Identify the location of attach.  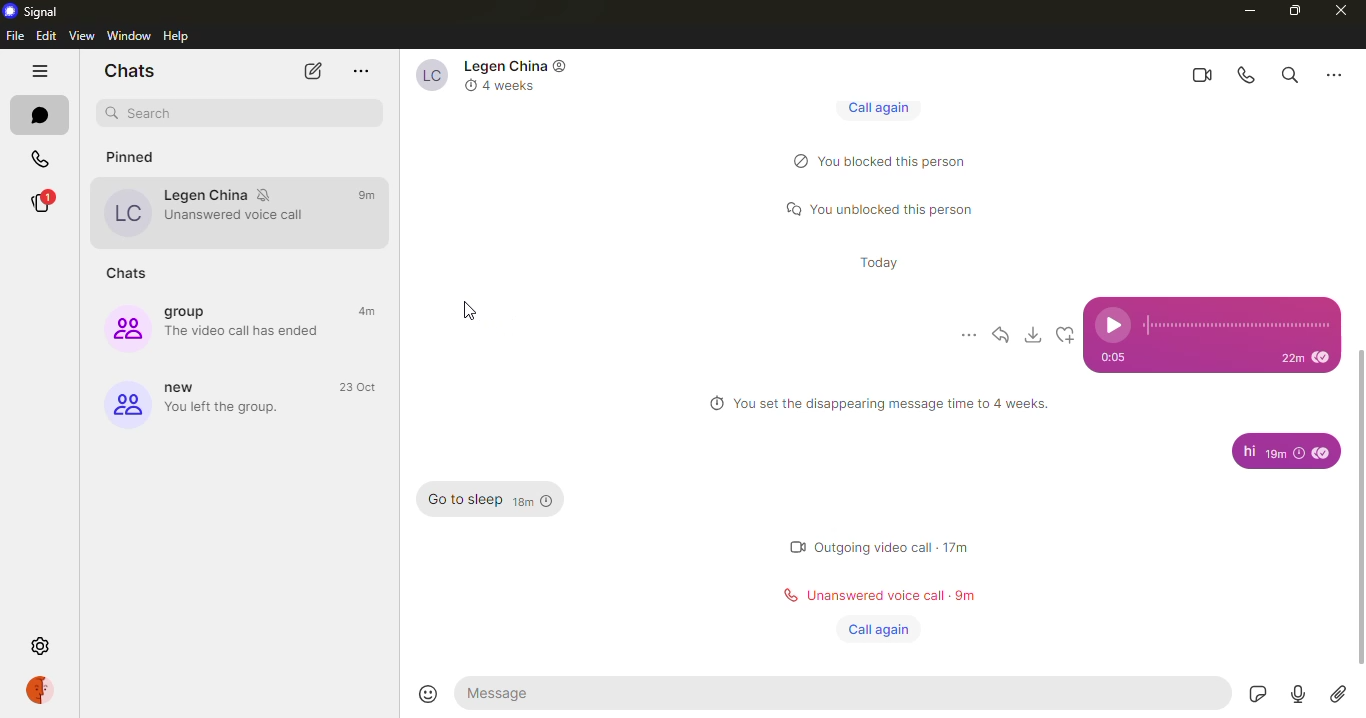
(1339, 692).